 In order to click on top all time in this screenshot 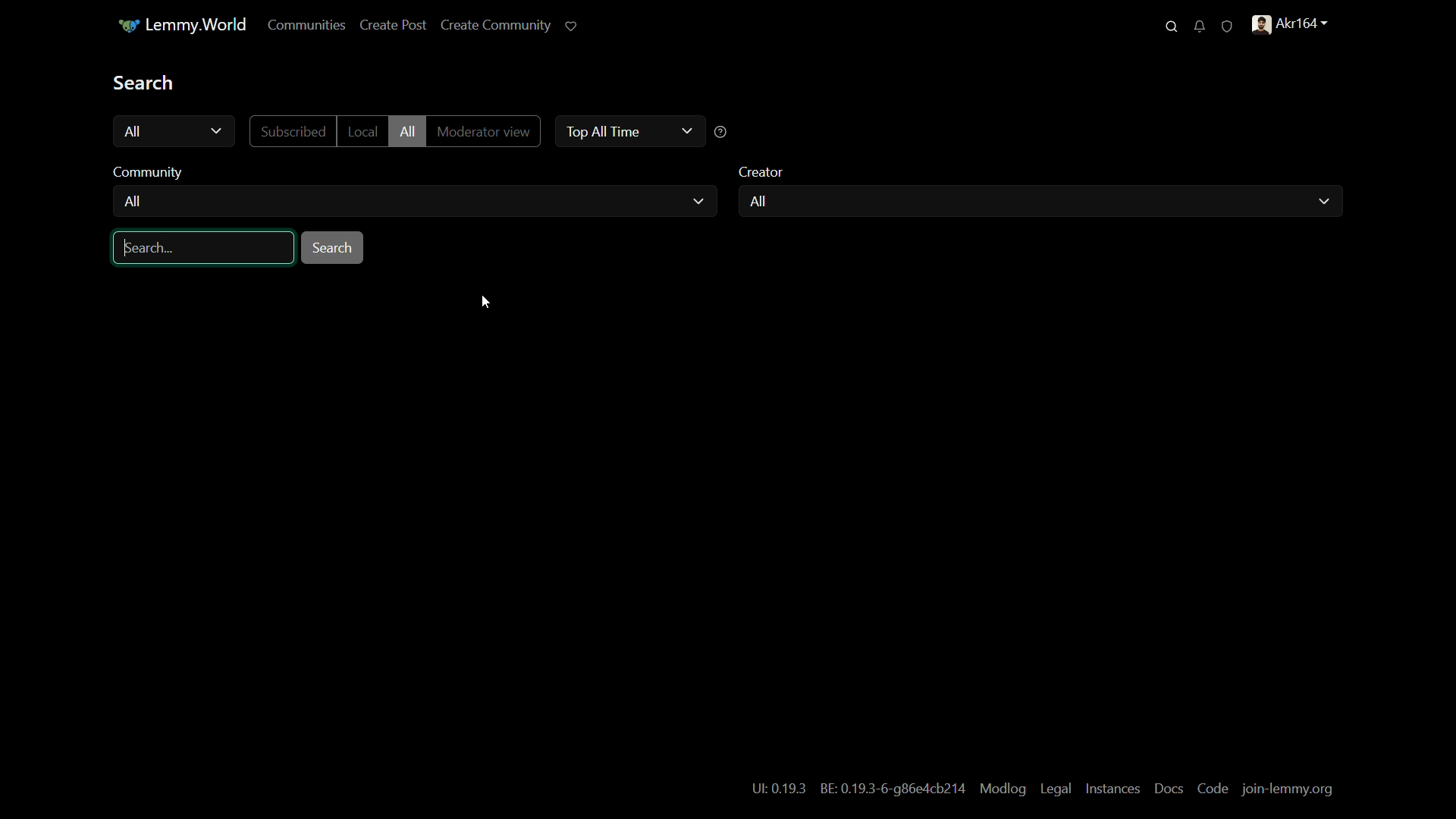, I will do `click(600, 130)`.